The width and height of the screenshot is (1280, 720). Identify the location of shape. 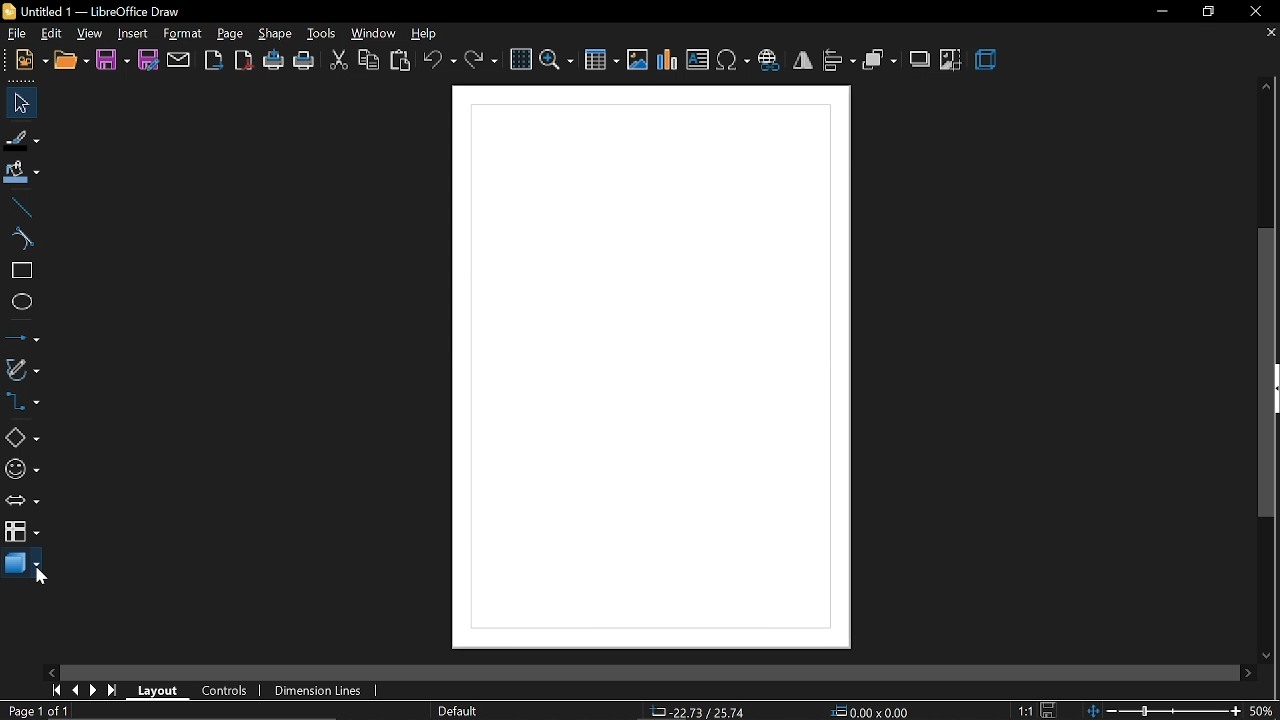
(276, 34).